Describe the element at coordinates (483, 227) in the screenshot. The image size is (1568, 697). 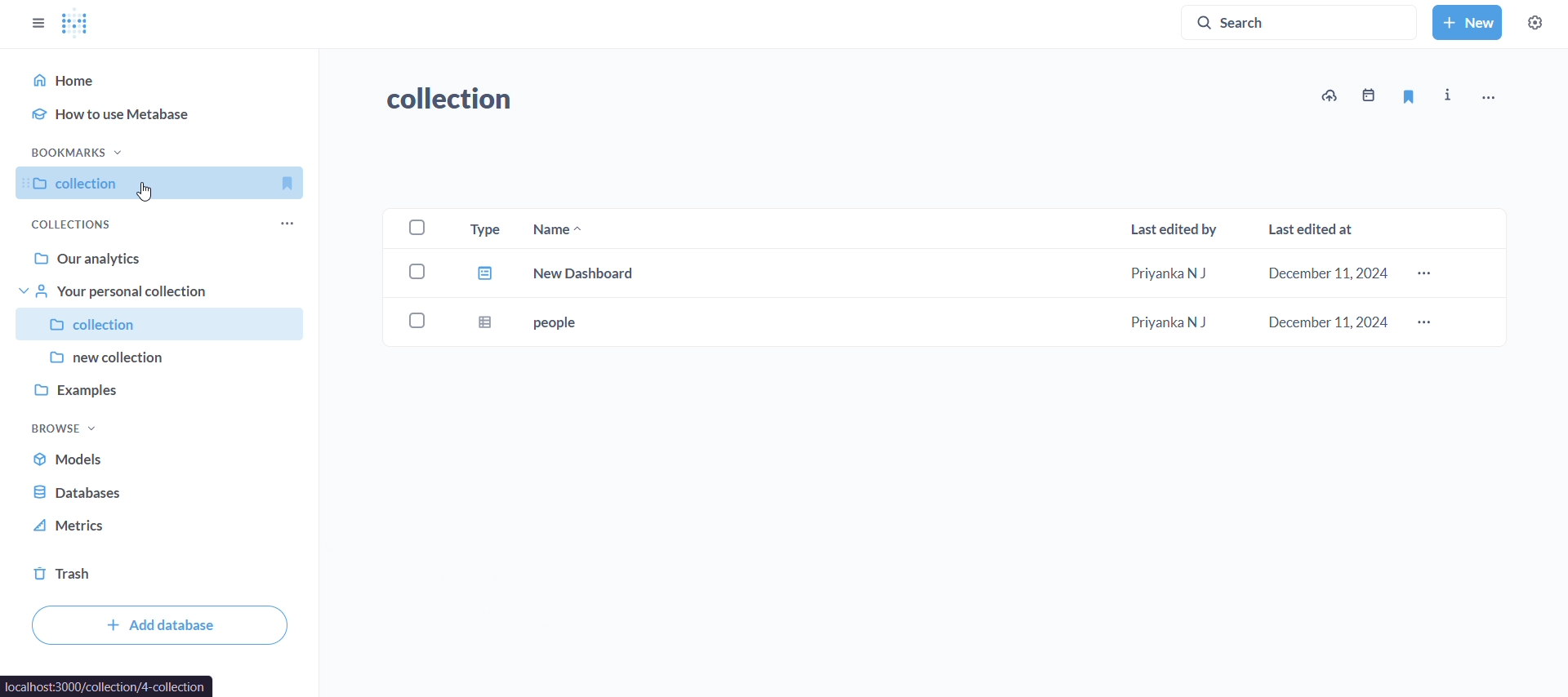
I see `type` at that location.